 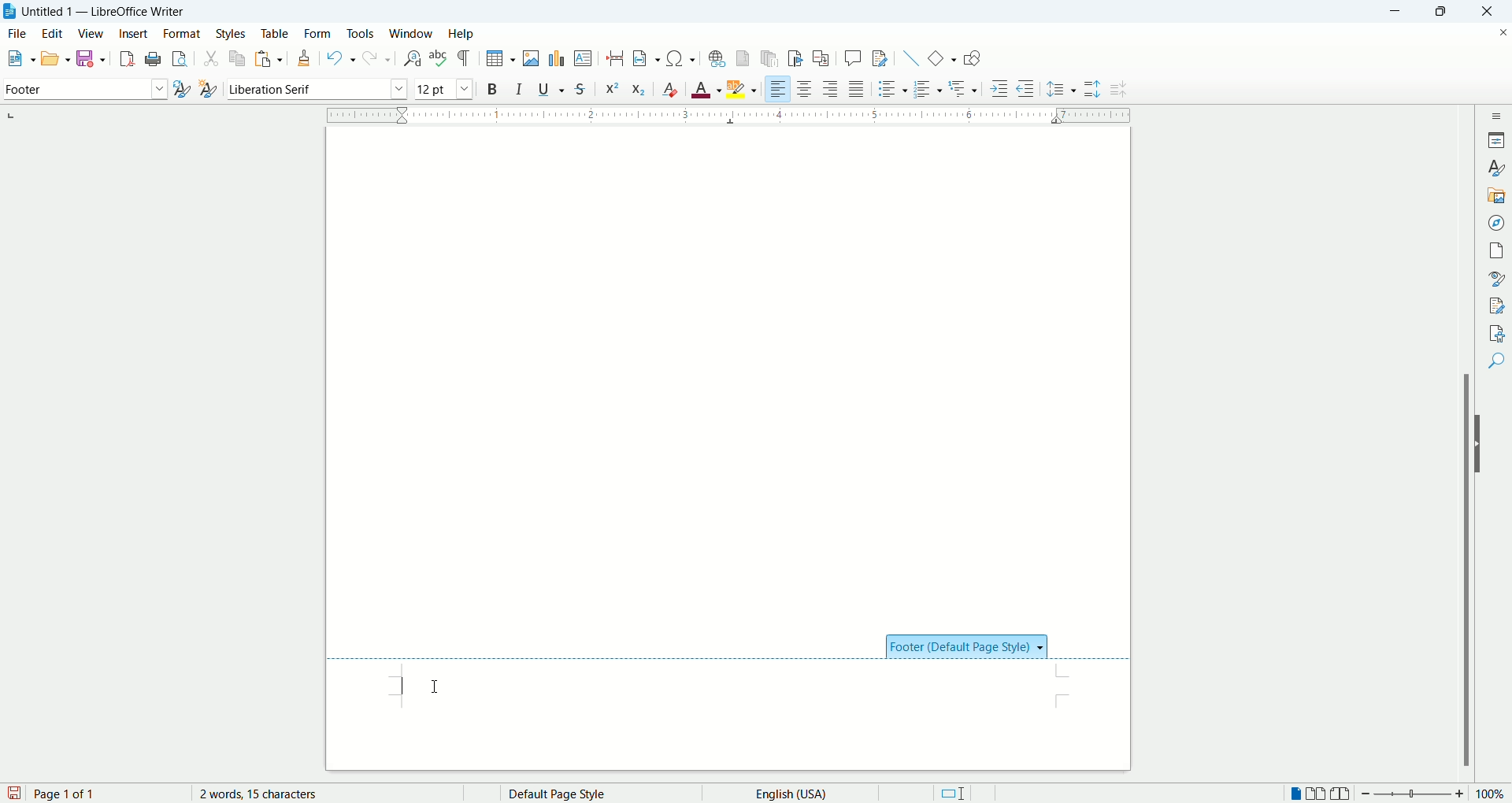 What do you see at coordinates (1447, 13) in the screenshot?
I see `maximize` at bounding box center [1447, 13].